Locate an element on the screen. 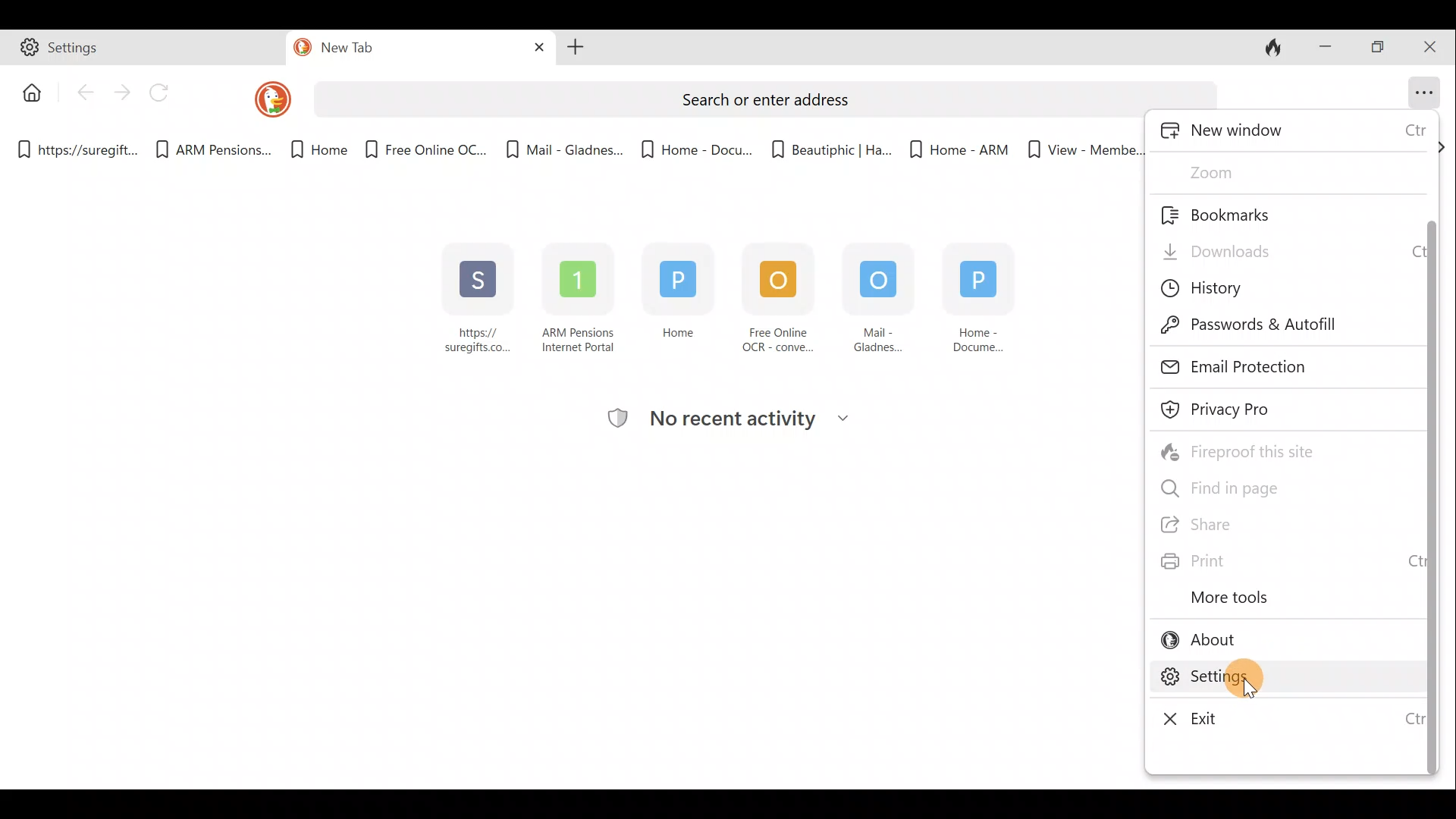  Bookmark 3 is located at coordinates (311, 150).